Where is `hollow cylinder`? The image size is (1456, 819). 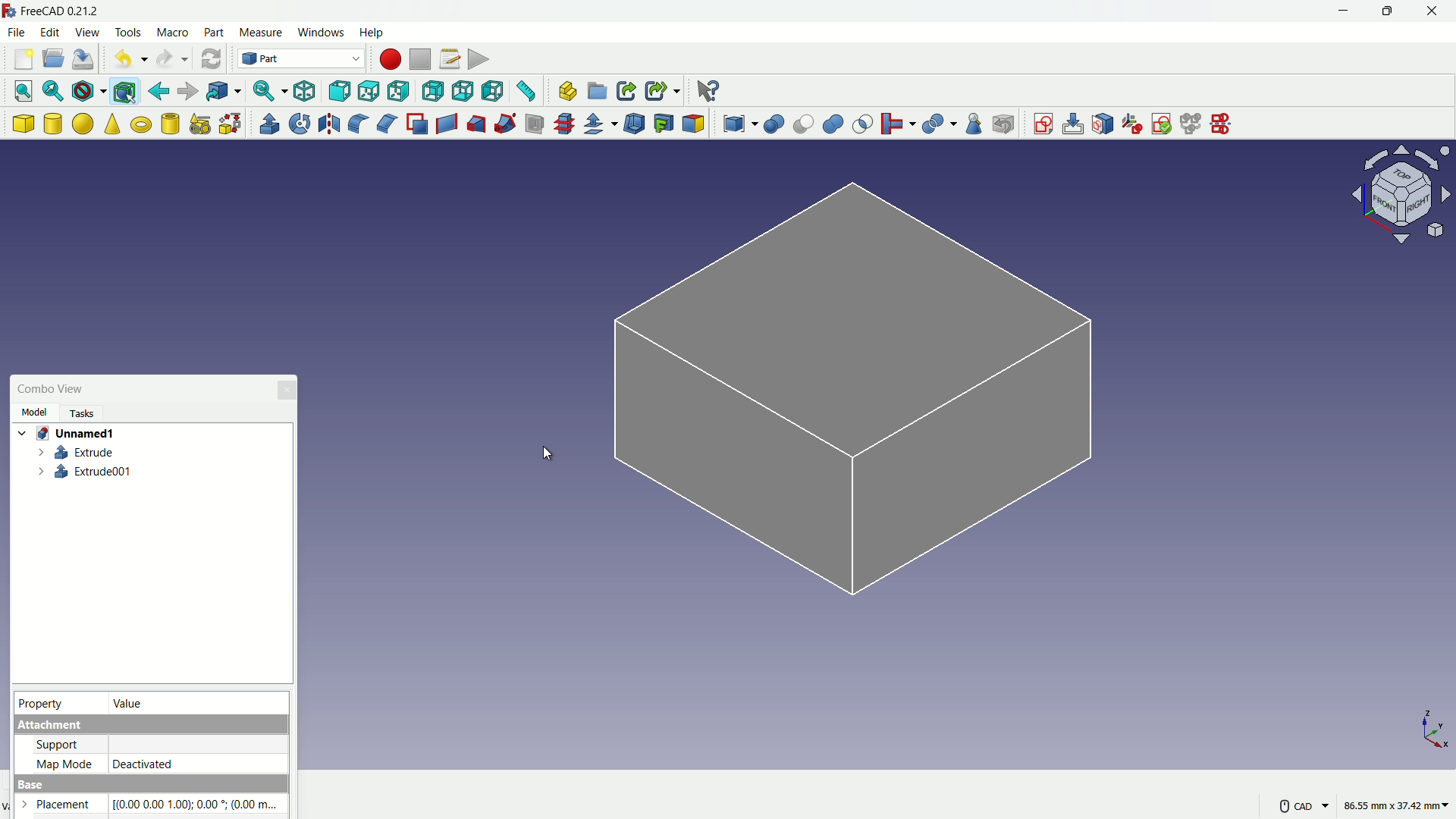
hollow cylinder is located at coordinates (171, 124).